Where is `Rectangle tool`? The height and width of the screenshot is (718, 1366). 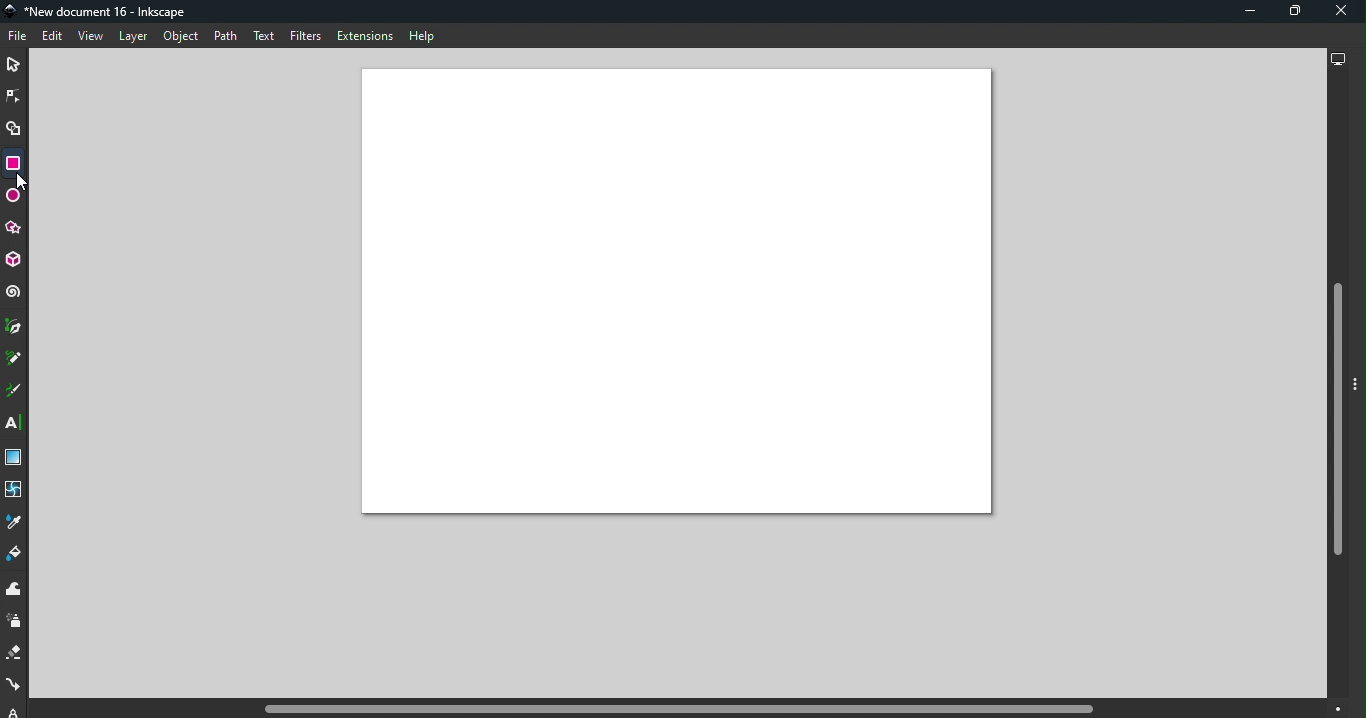
Rectangle tool is located at coordinates (12, 163).